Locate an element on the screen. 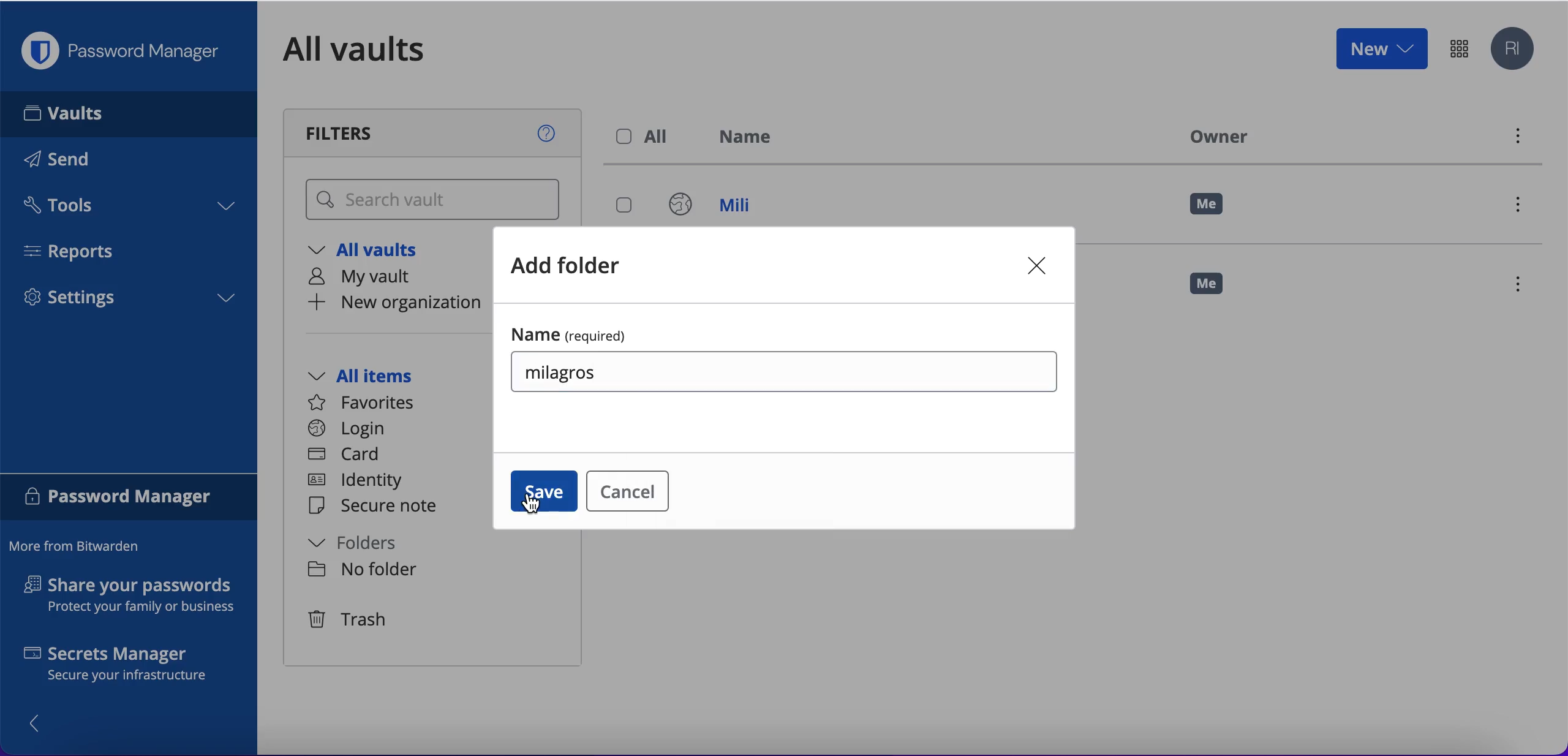 The height and width of the screenshot is (756, 1568). mili is located at coordinates (722, 208).